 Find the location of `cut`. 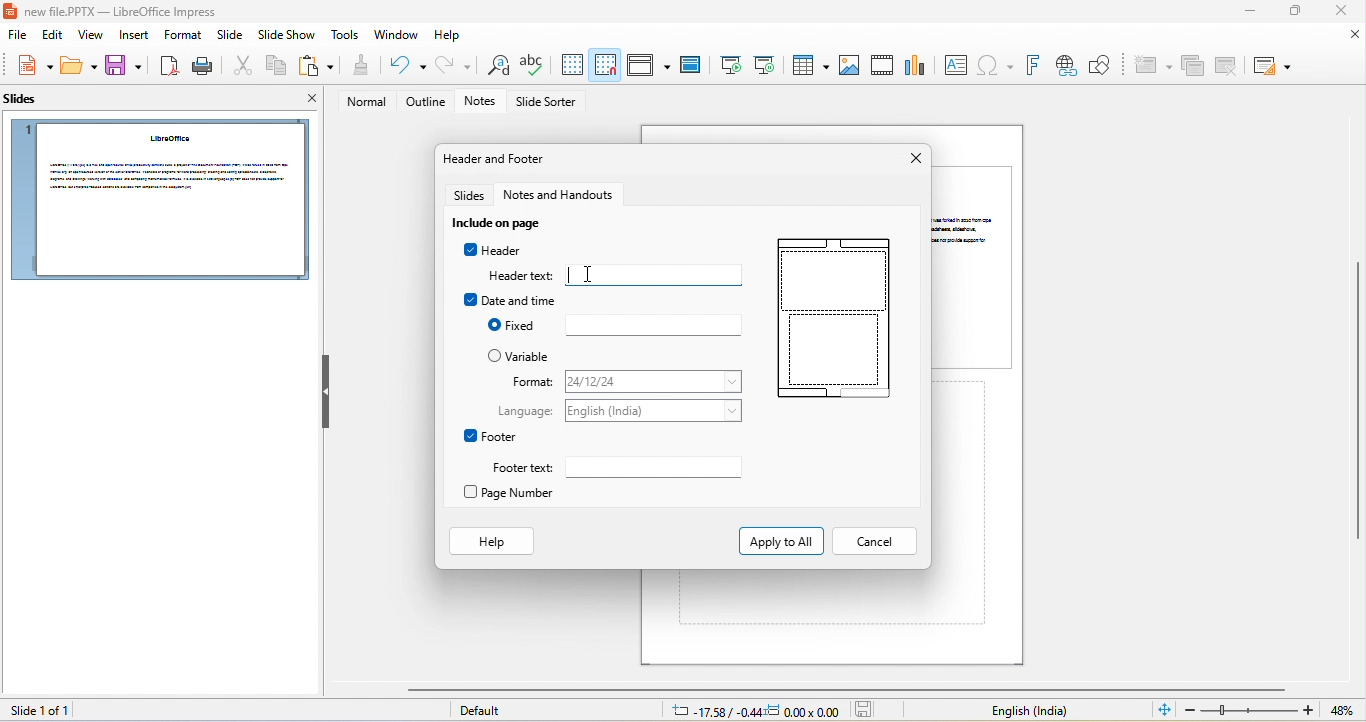

cut is located at coordinates (240, 67).